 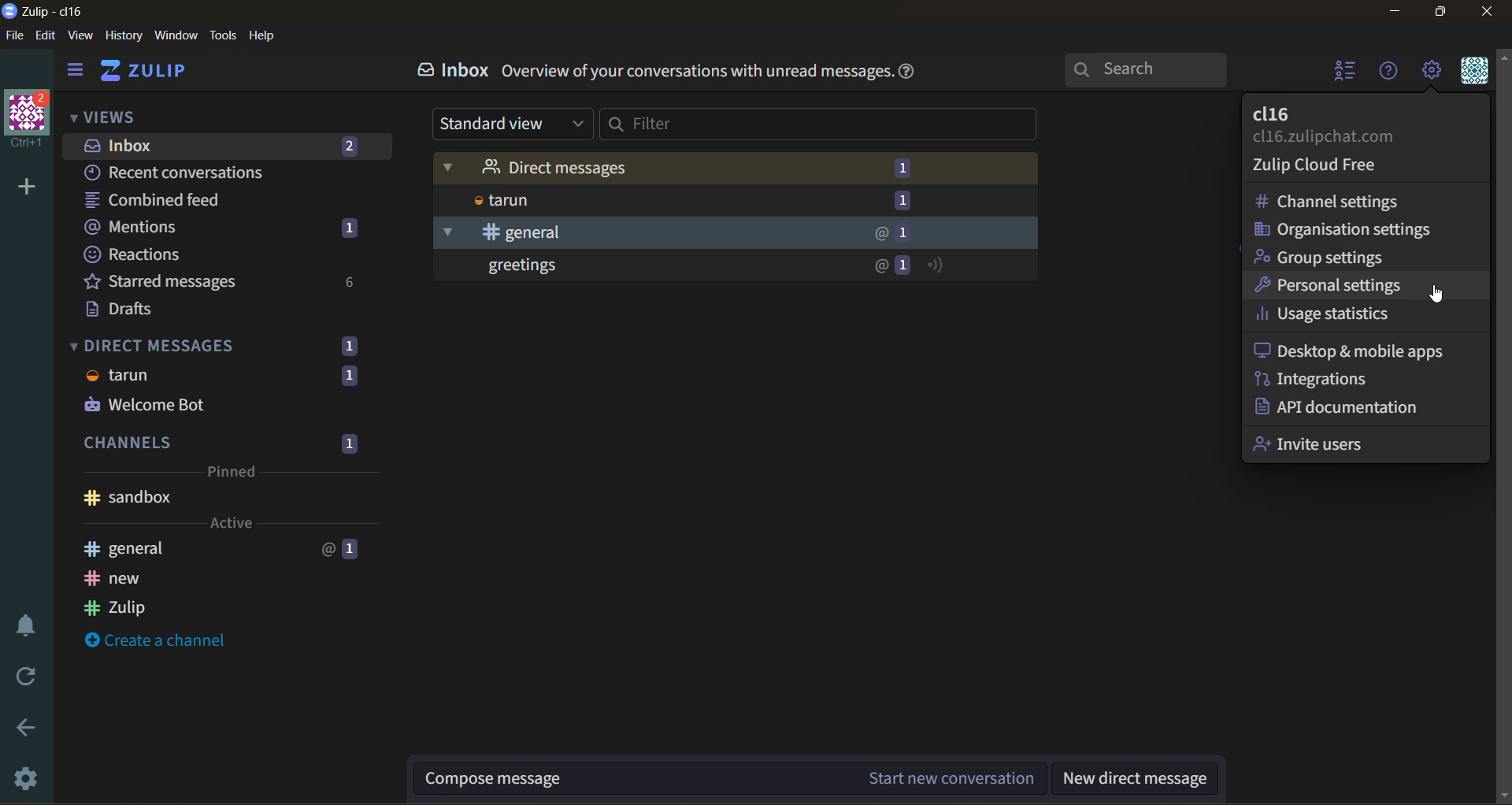 I want to click on scroll bar, so click(x=1498, y=423).